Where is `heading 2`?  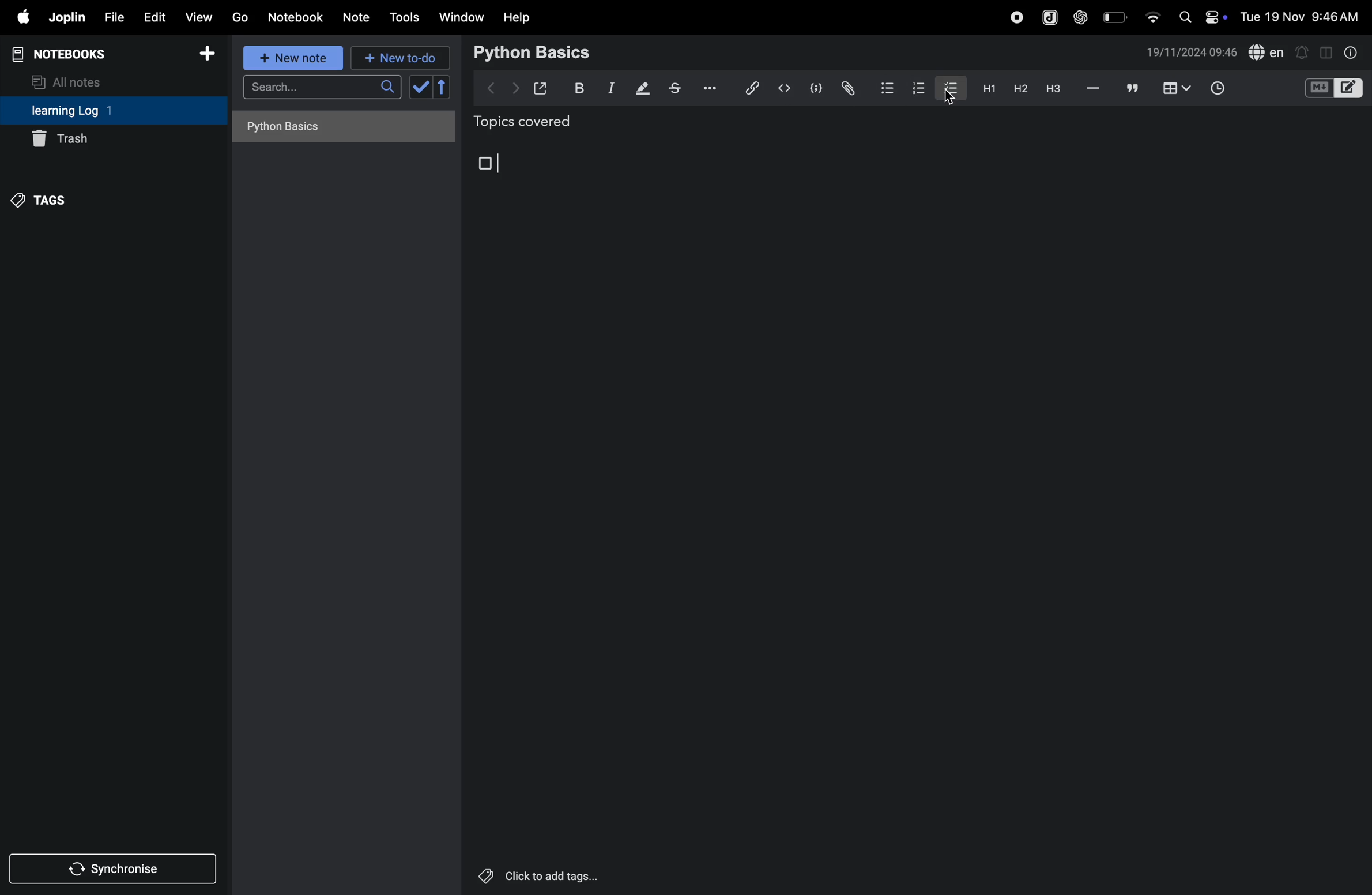 heading 2 is located at coordinates (1020, 88).